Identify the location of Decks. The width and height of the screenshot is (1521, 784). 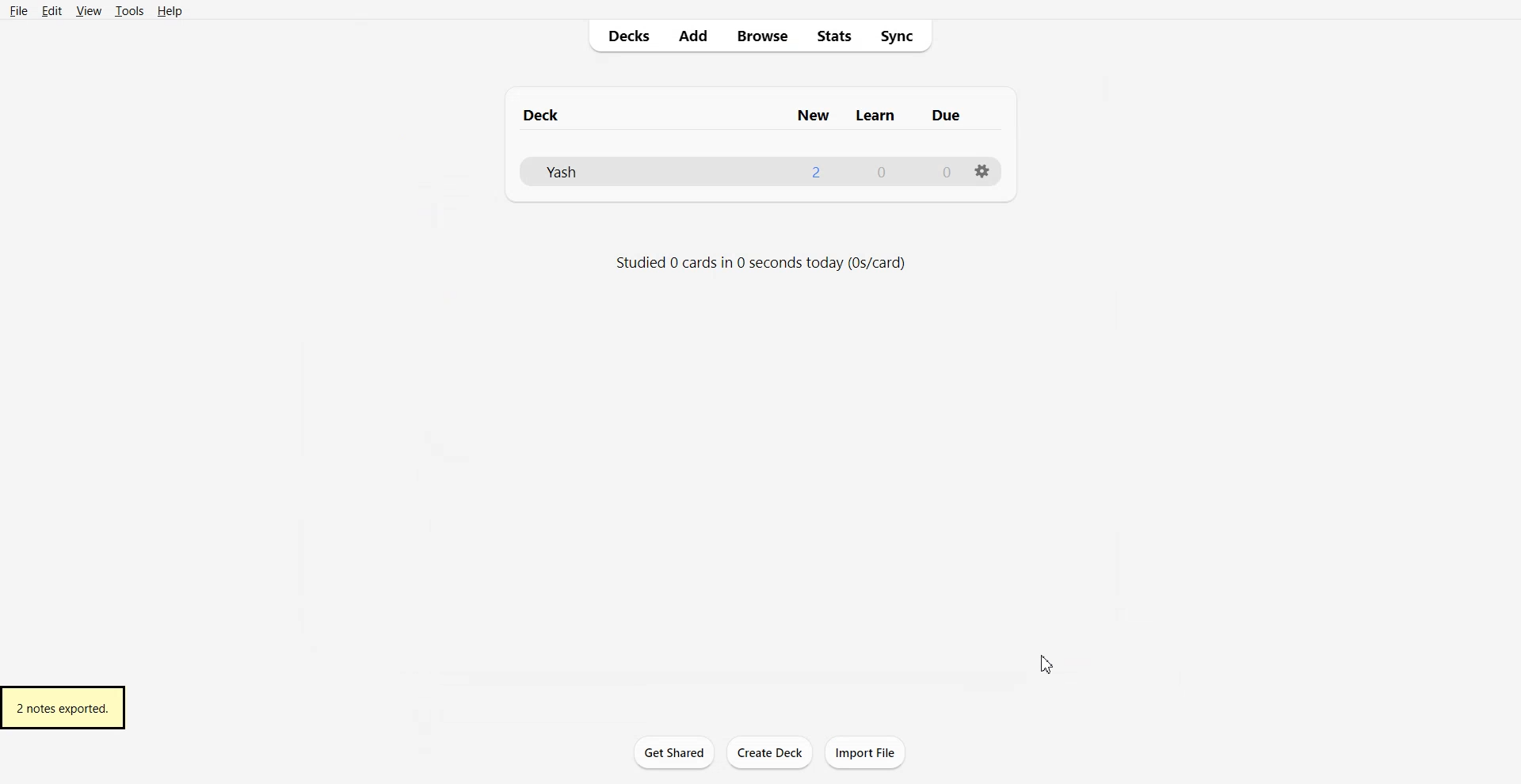
(624, 37).